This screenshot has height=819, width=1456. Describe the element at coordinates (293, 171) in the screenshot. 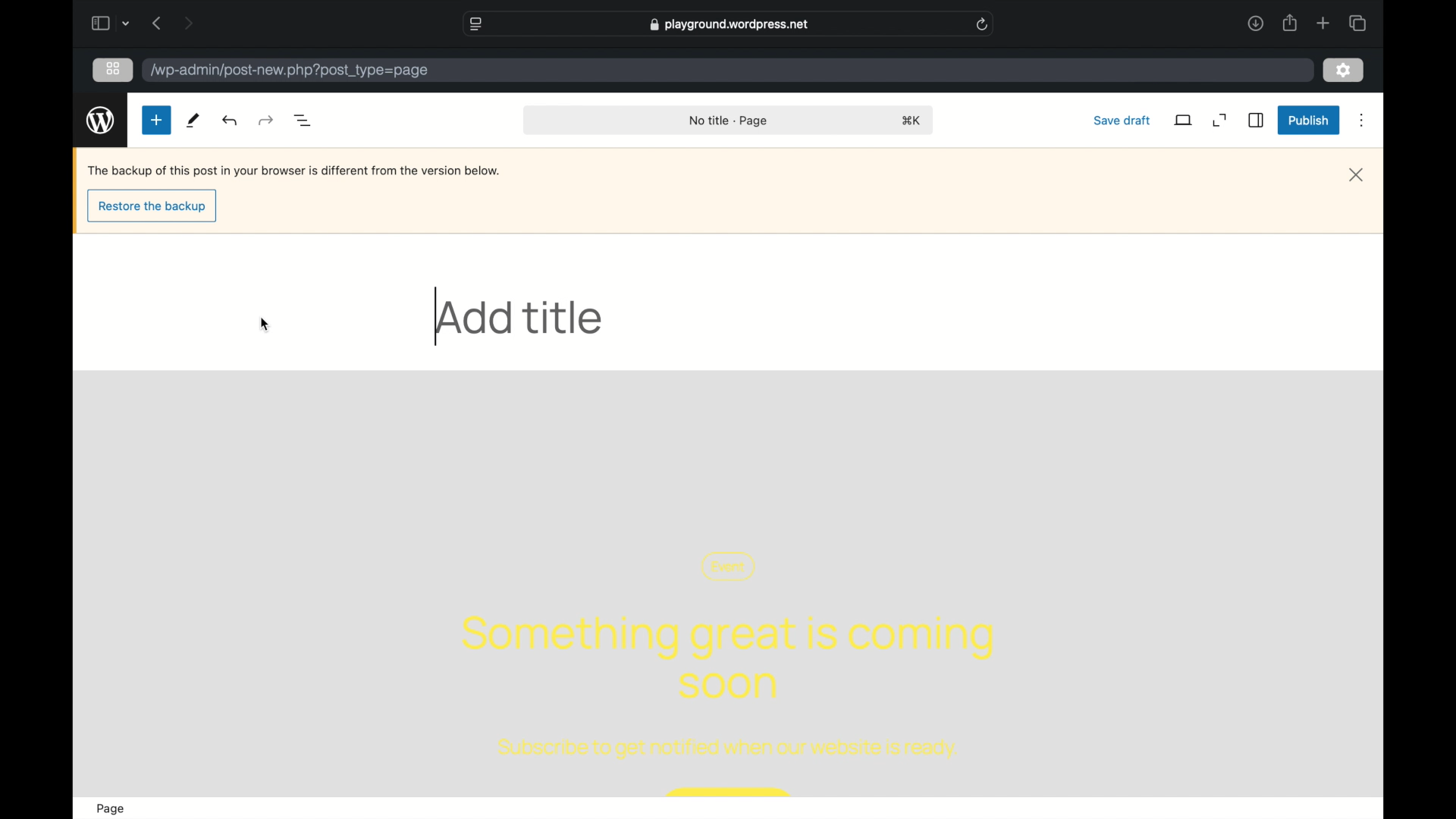

I see `backup notification` at that location.